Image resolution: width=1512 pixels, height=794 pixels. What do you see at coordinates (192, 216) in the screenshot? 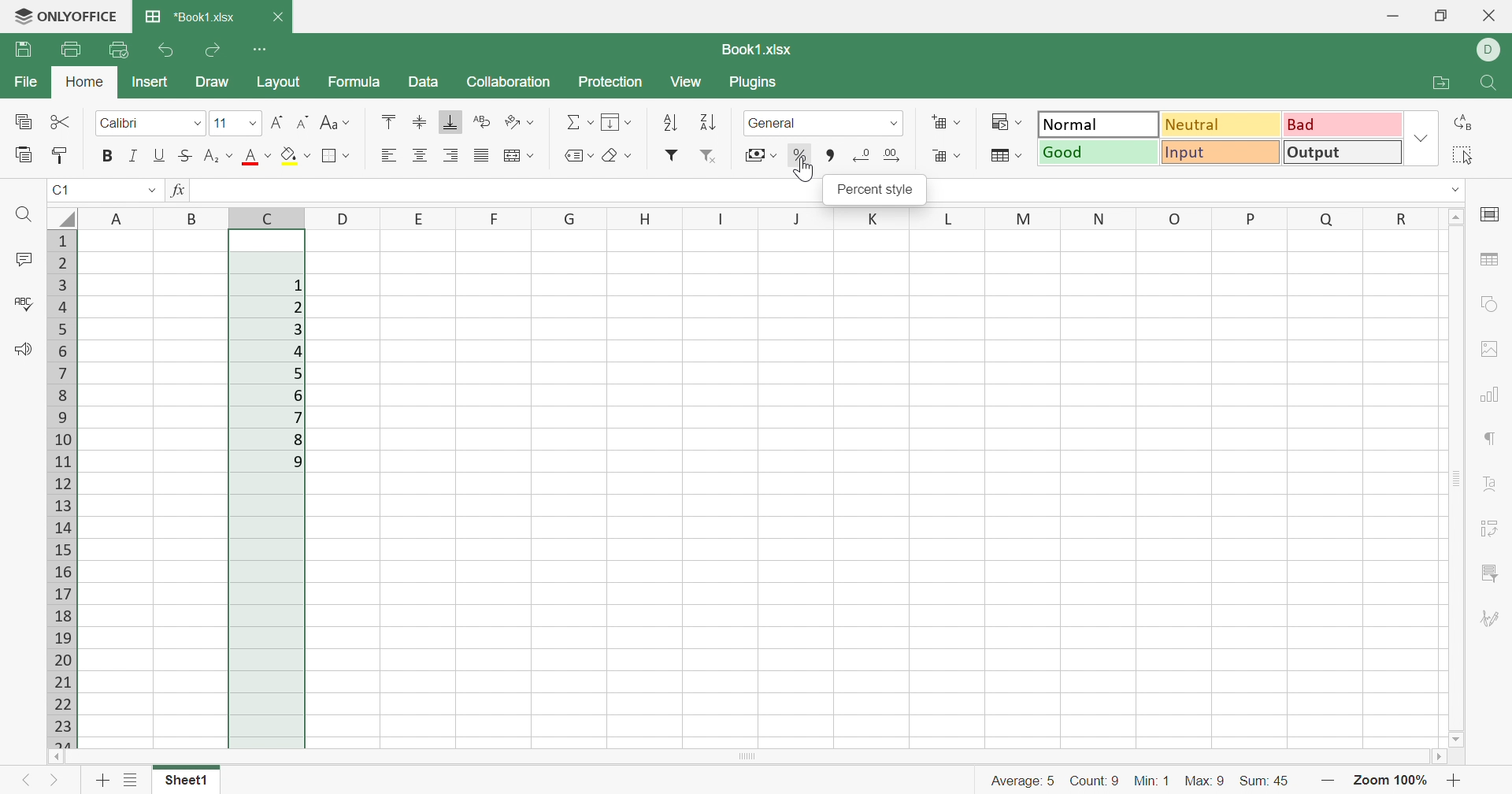
I see `` at bounding box center [192, 216].